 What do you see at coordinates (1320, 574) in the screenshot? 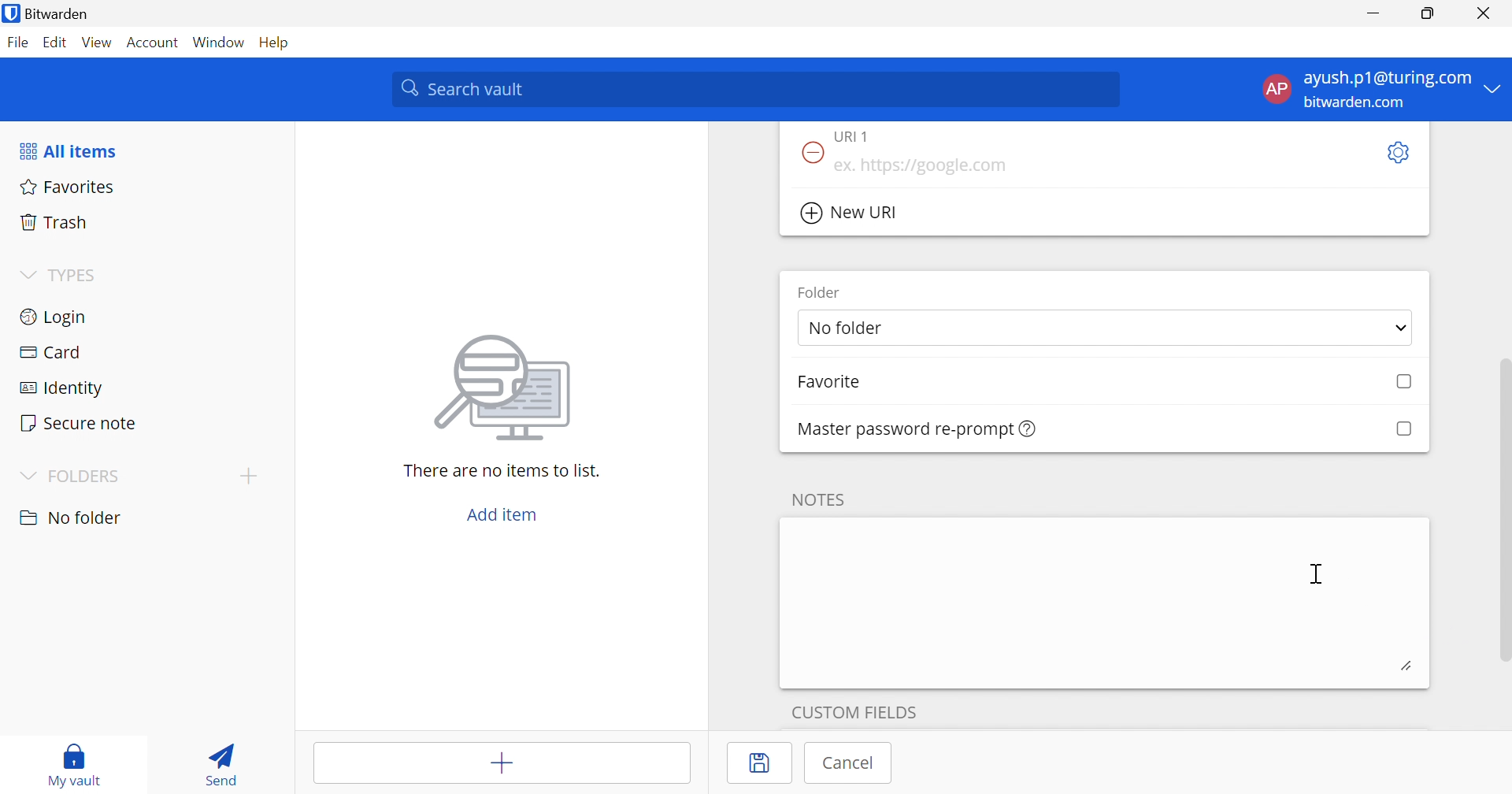
I see `Cursor` at bounding box center [1320, 574].